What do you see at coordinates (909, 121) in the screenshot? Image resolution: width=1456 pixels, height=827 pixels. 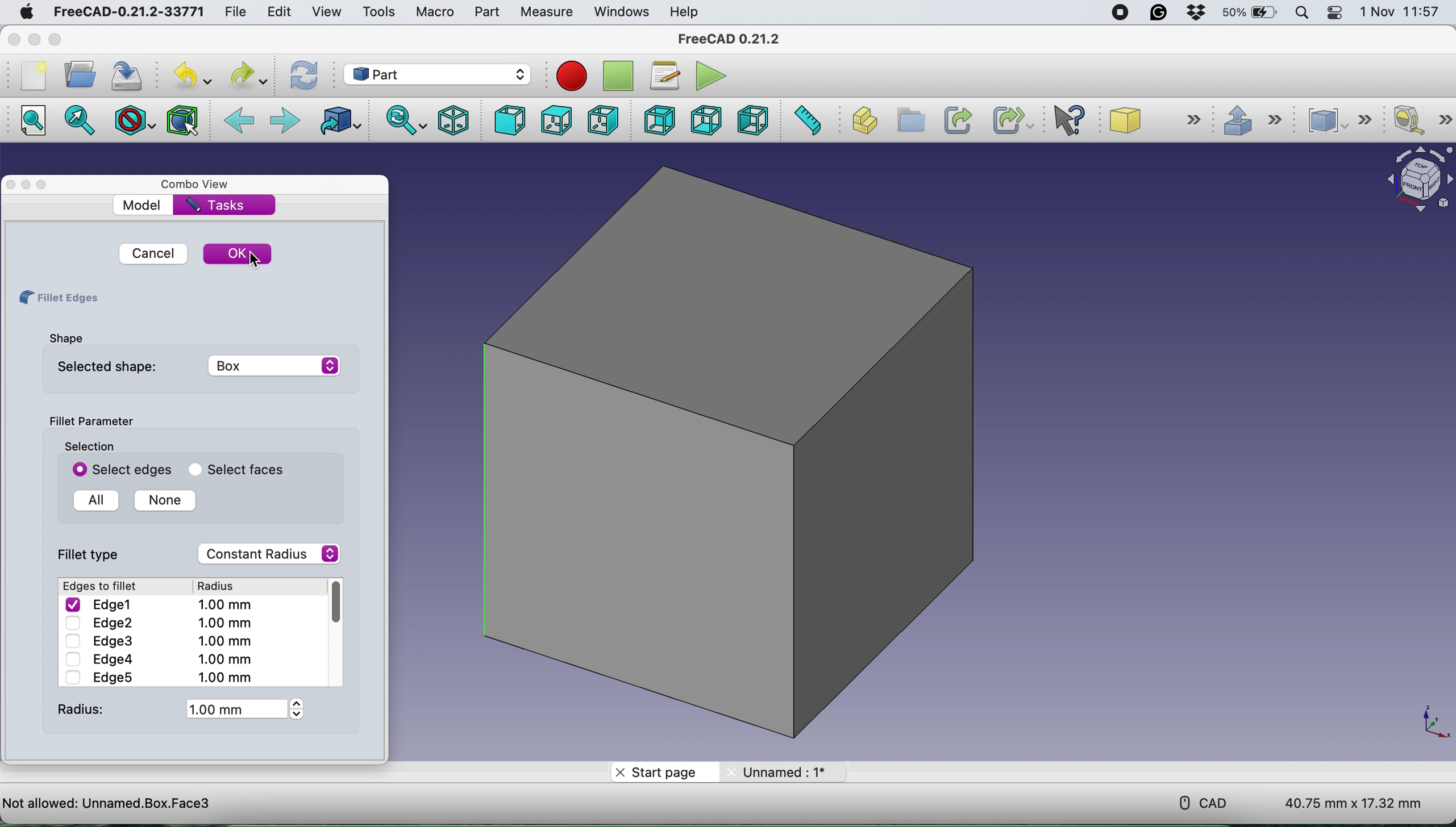 I see `create group` at bounding box center [909, 121].